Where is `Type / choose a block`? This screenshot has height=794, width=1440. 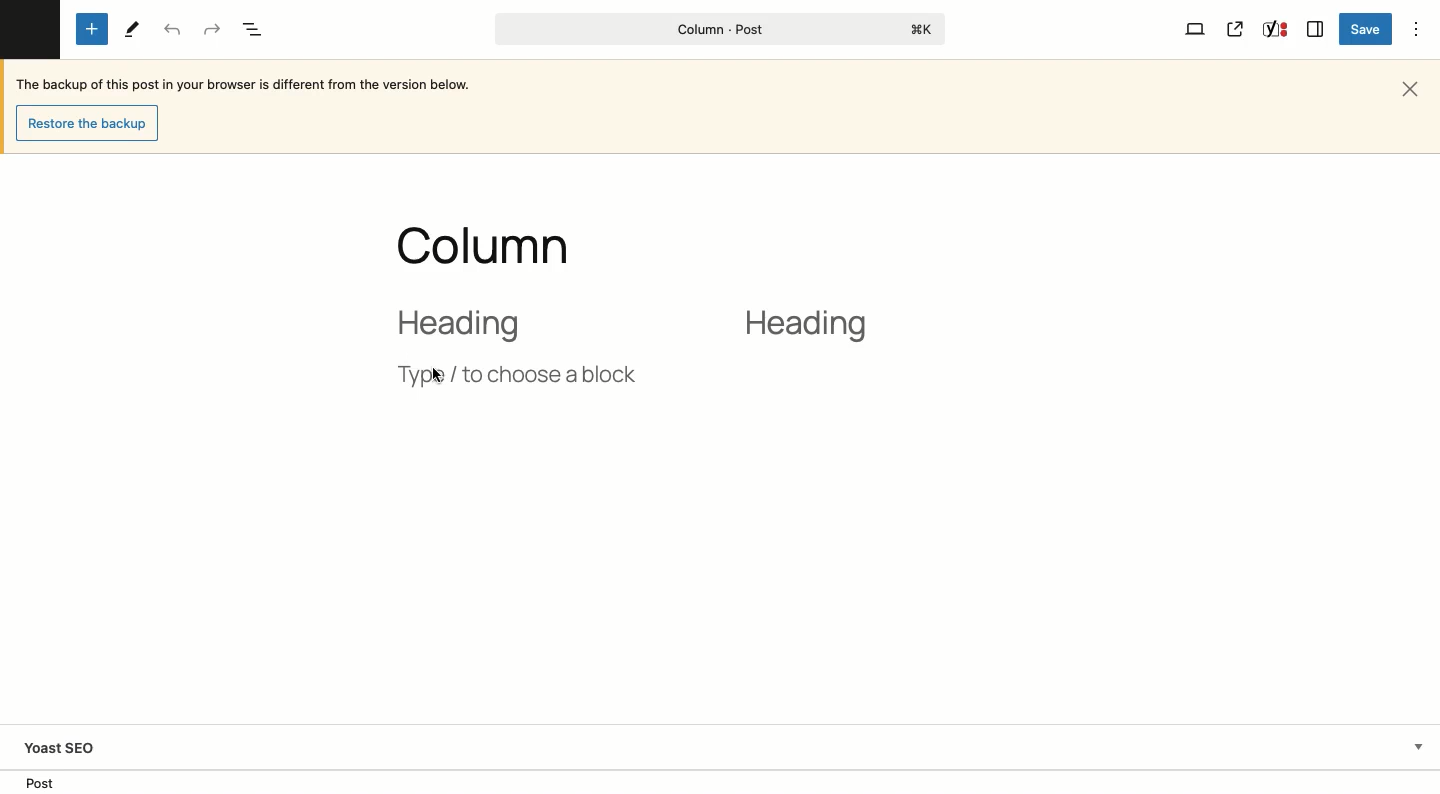 Type / choose a block is located at coordinates (515, 375).